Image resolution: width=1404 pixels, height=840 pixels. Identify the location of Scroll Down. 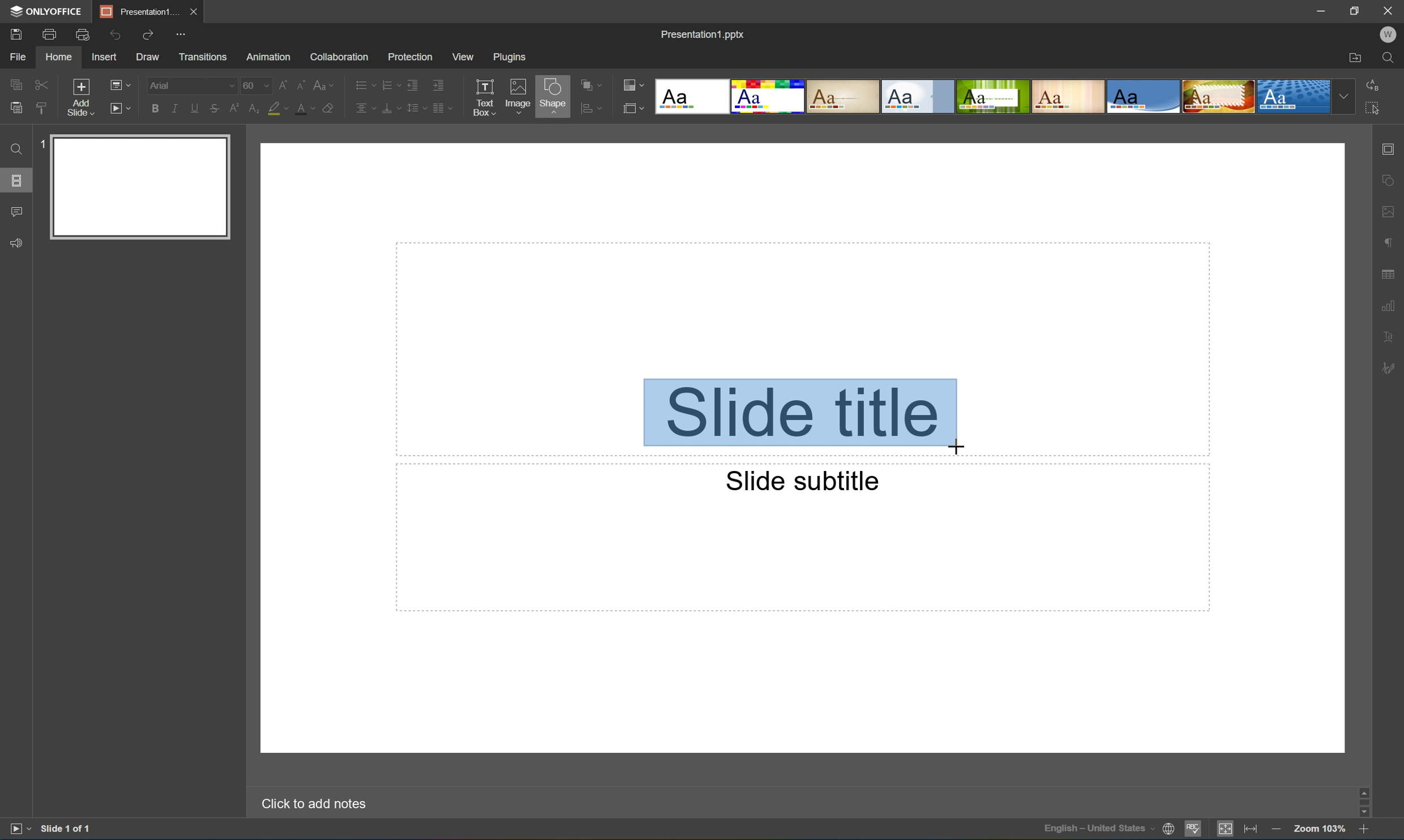
(1361, 816).